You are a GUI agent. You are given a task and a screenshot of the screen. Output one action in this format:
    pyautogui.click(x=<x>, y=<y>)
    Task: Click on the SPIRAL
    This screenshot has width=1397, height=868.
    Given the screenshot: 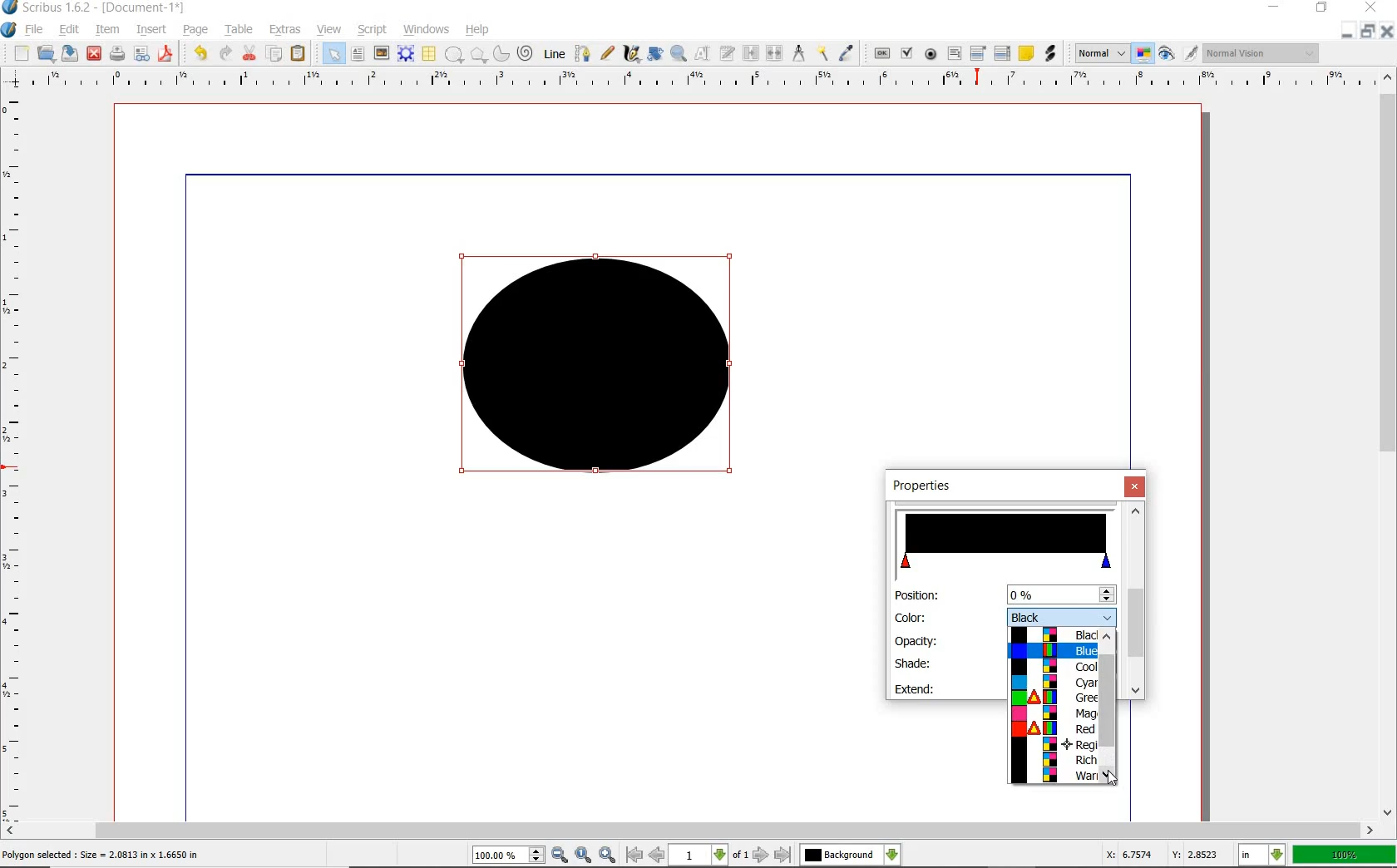 What is the action you would take?
    pyautogui.click(x=524, y=54)
    